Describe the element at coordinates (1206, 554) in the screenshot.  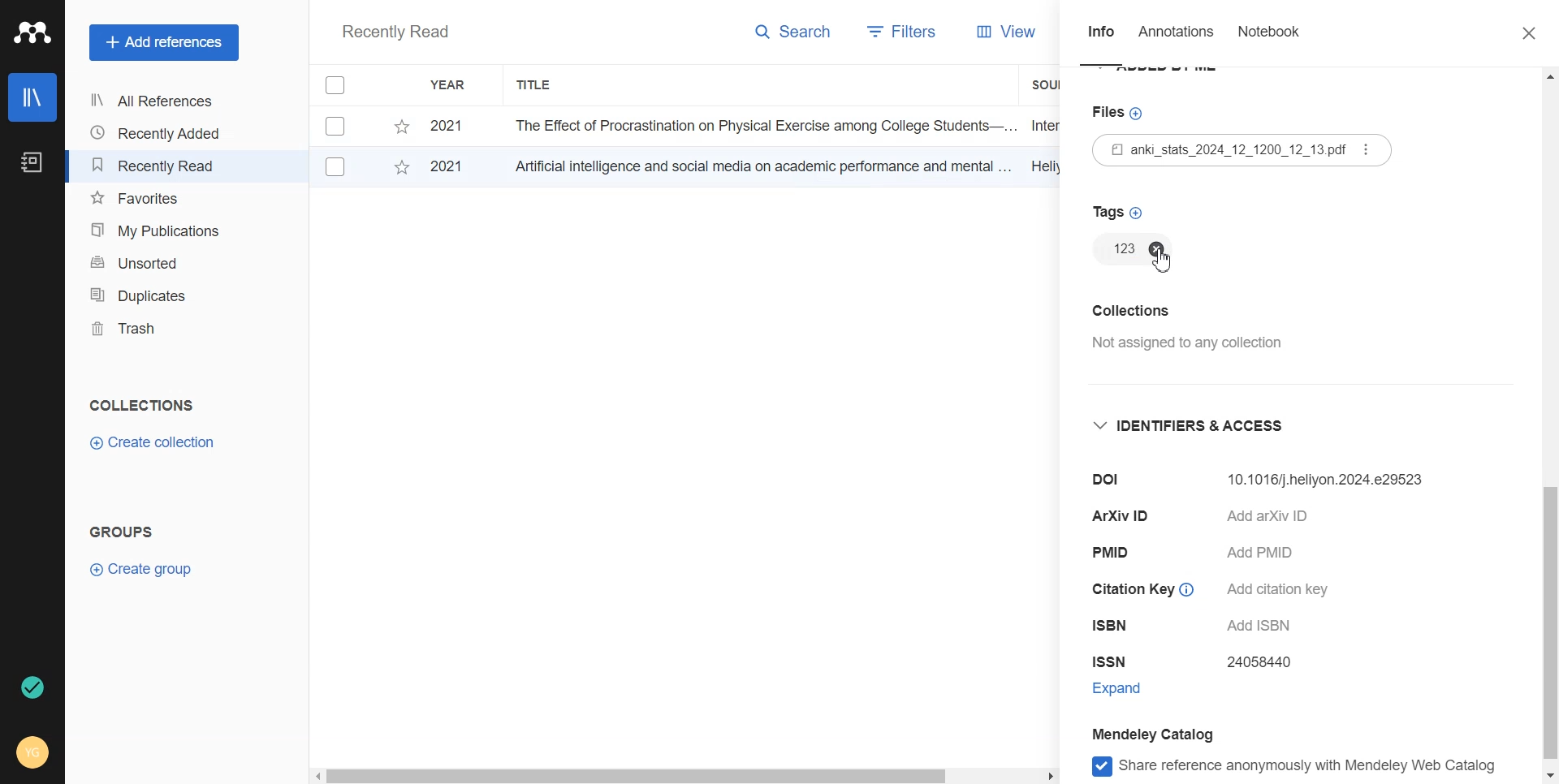
I see `PMID Add PMID` at that location.